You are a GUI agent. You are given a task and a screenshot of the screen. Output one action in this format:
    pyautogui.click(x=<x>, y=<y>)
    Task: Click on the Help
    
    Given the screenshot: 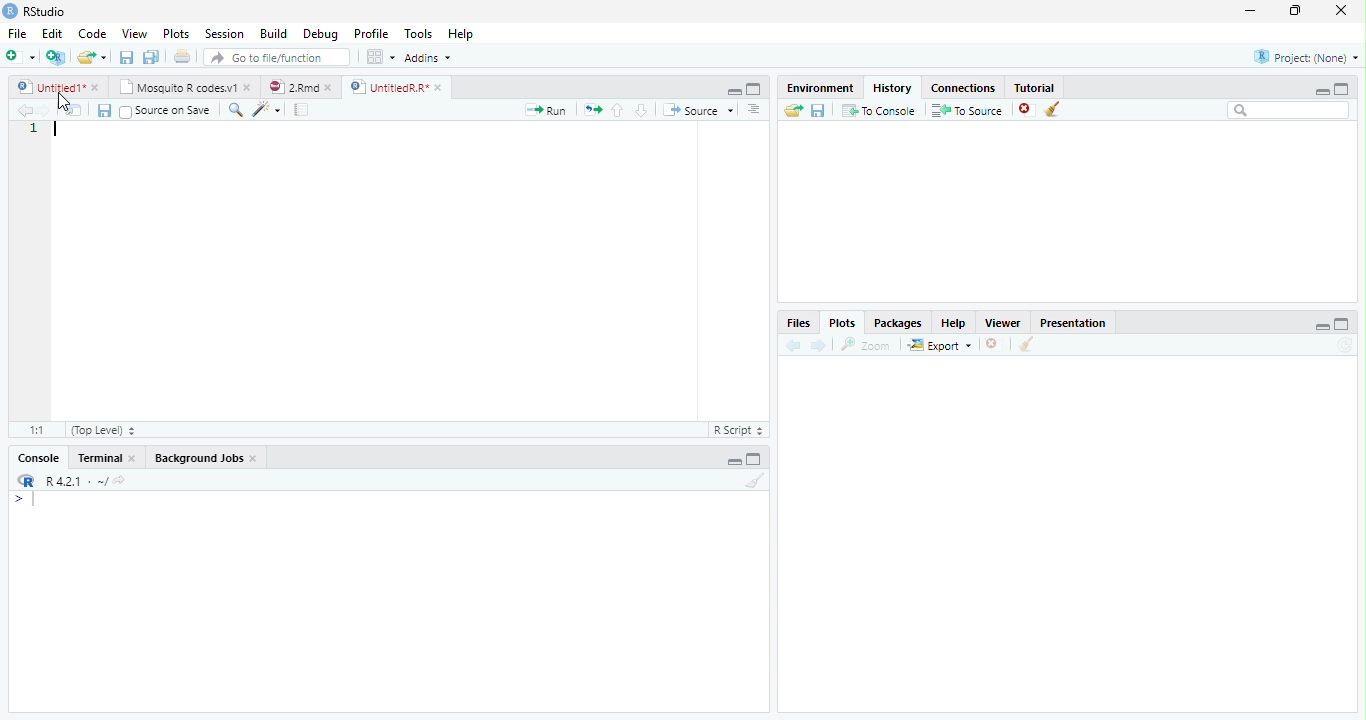 What is the action you would take?
    pyautogui.click(x=954, y=322)
    